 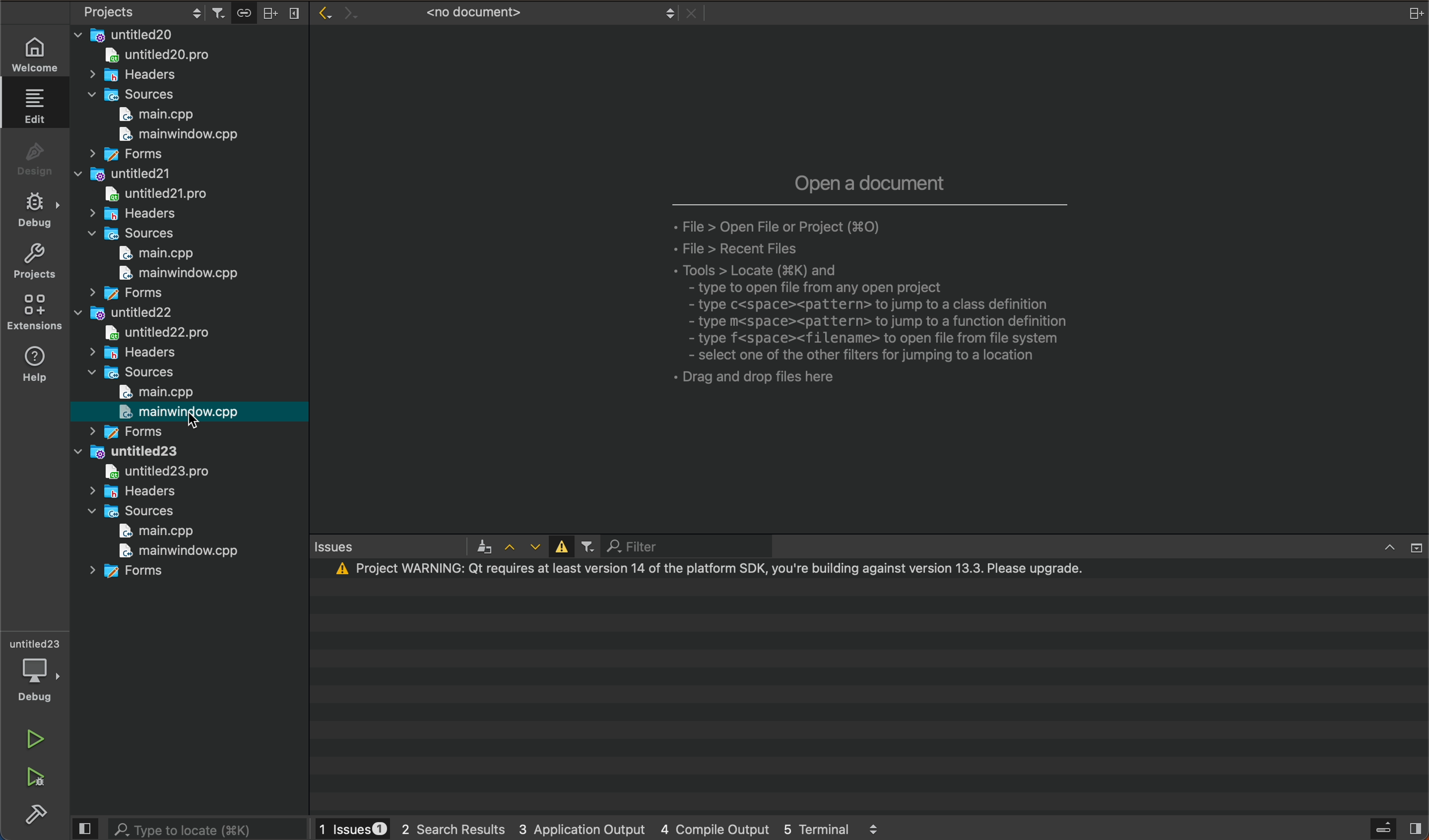 I want to click on headers, so click(x=132, y=491).